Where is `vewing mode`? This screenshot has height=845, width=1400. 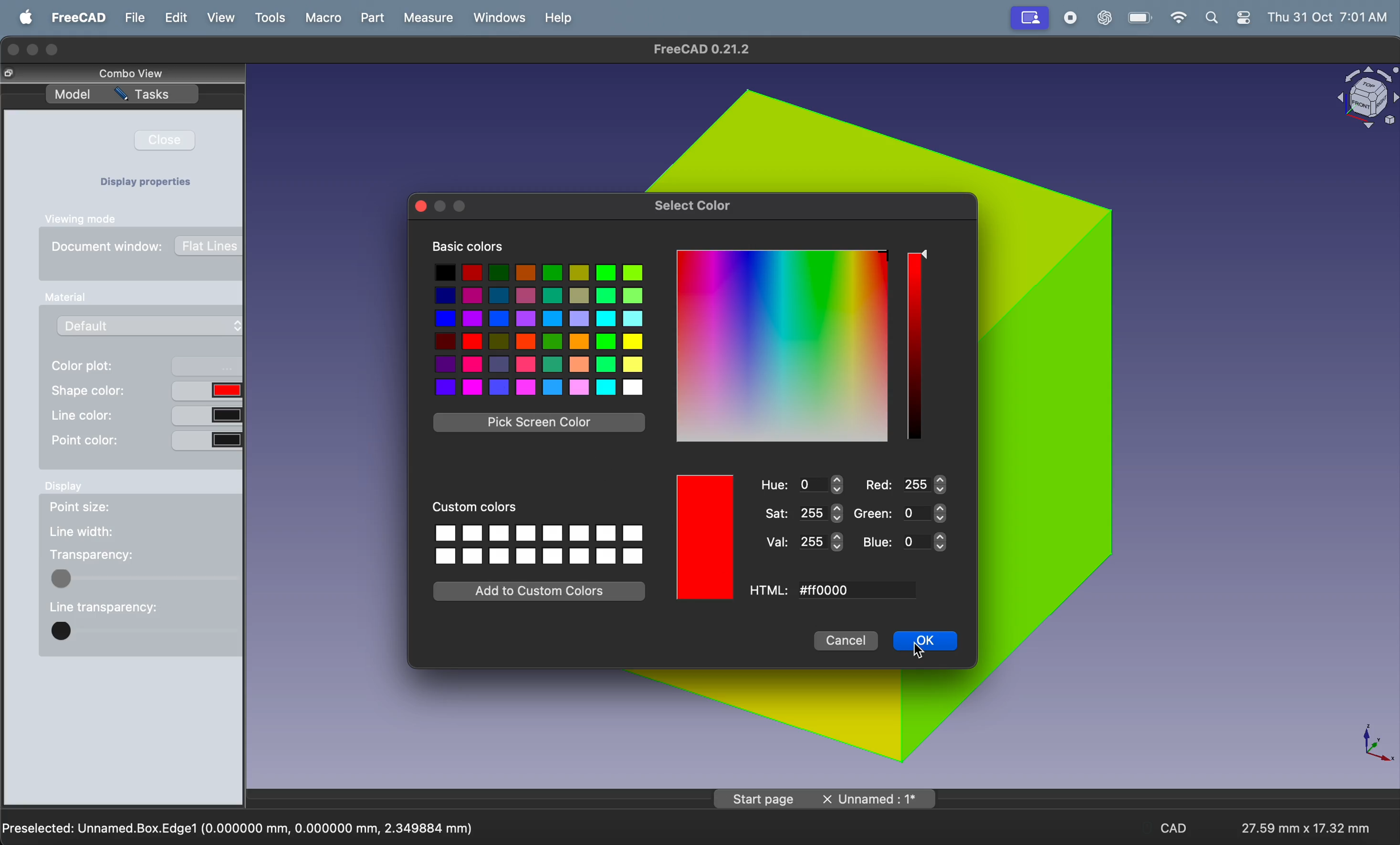 vewing mode is located at coordinates (87, 219).